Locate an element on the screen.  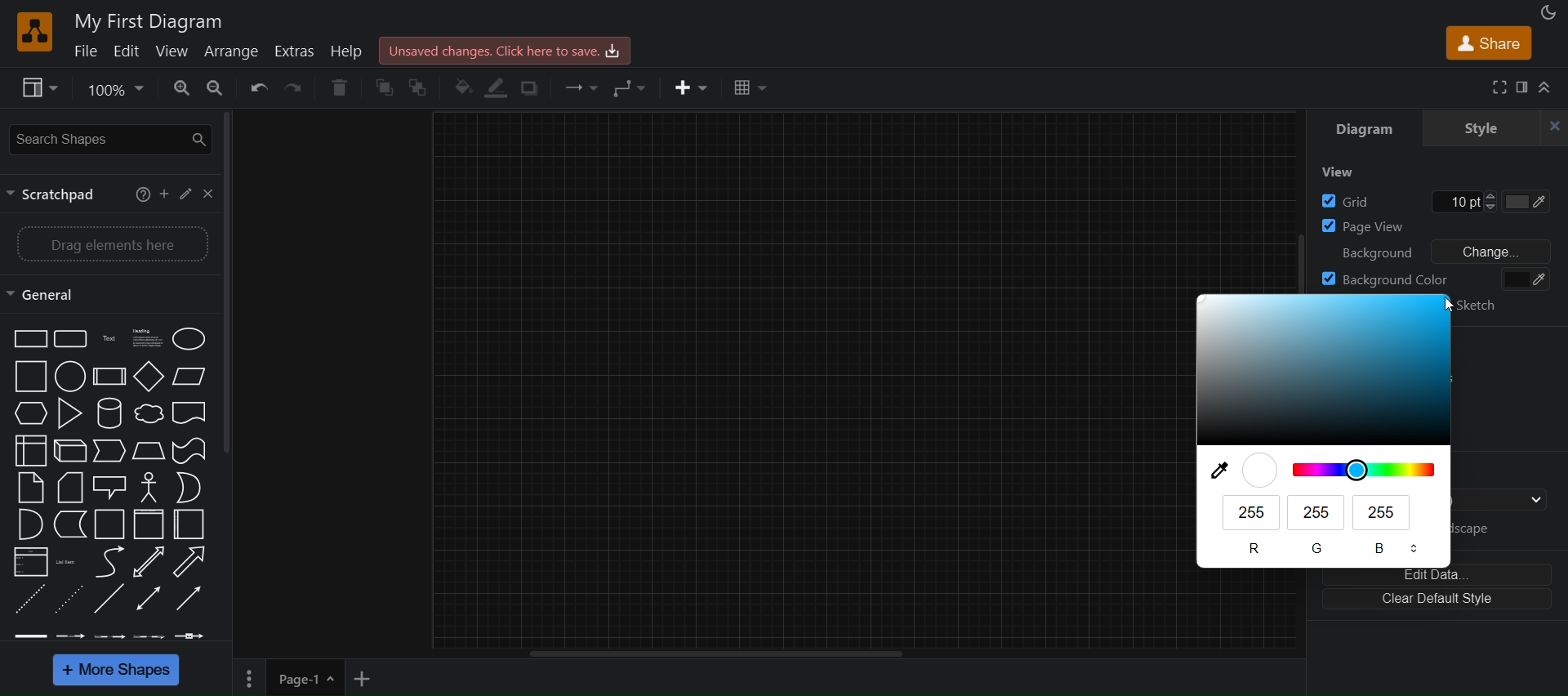
fill color is located at coordinates (463, 90).